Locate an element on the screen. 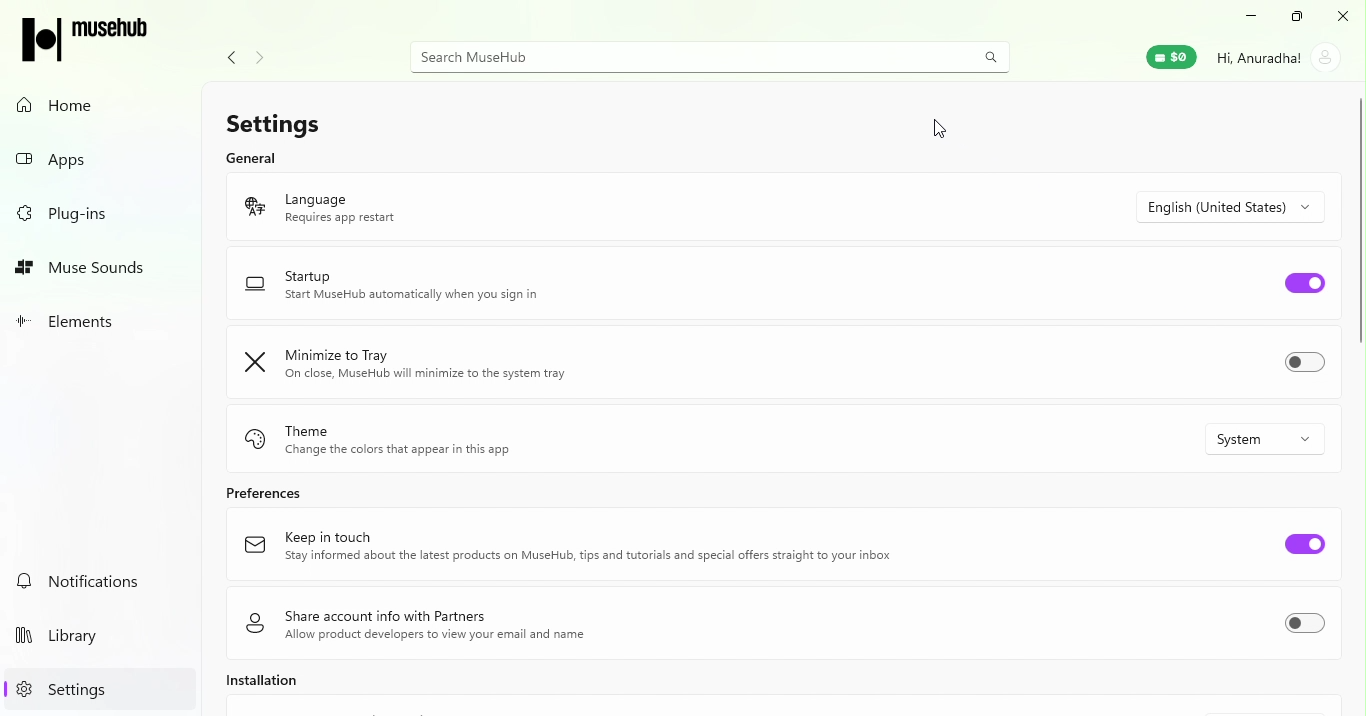  Preferences is located at coordinates (275, 498).